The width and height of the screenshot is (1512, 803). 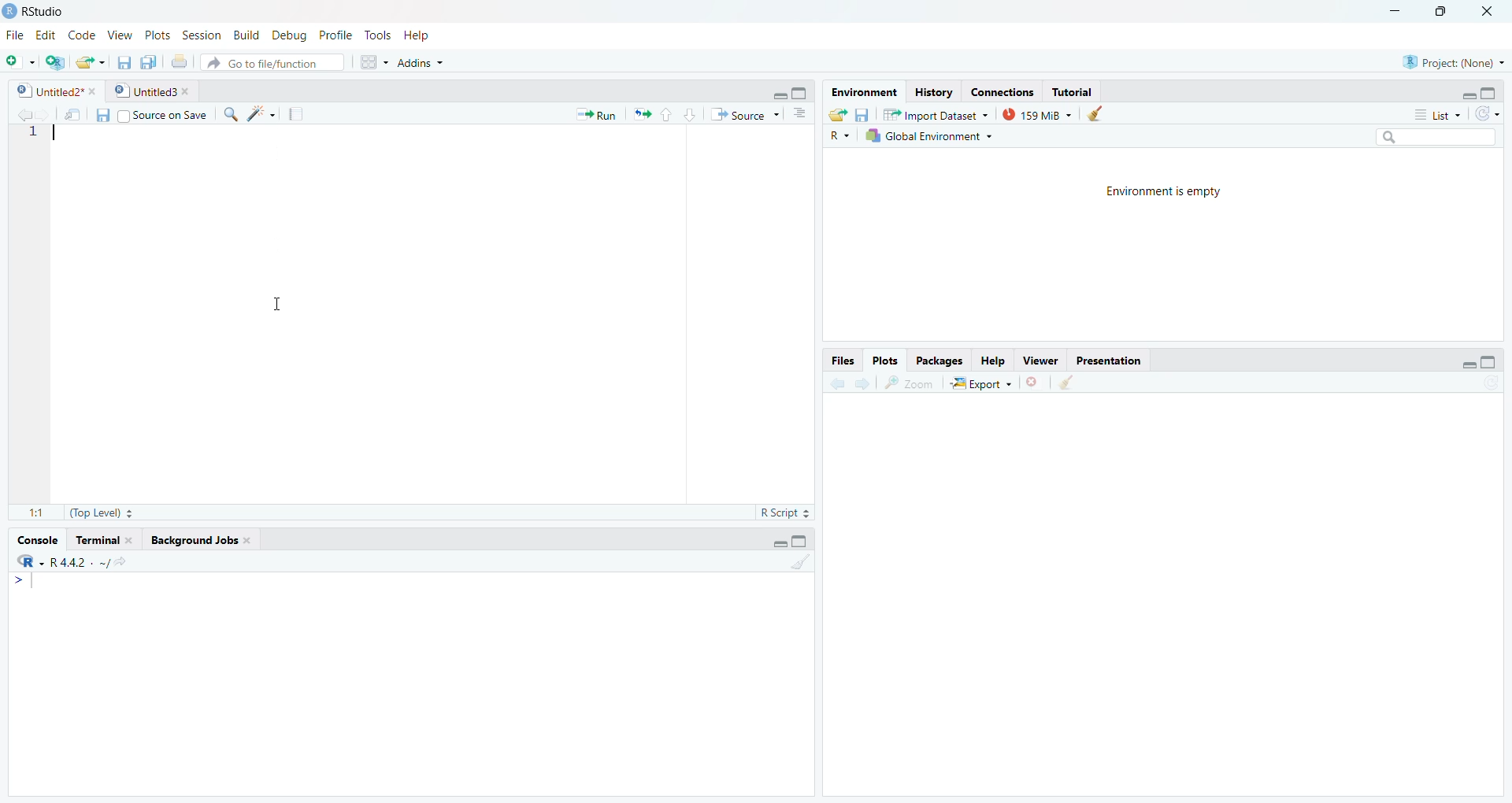 I want to click on R Script , so click(x=784, y=514).